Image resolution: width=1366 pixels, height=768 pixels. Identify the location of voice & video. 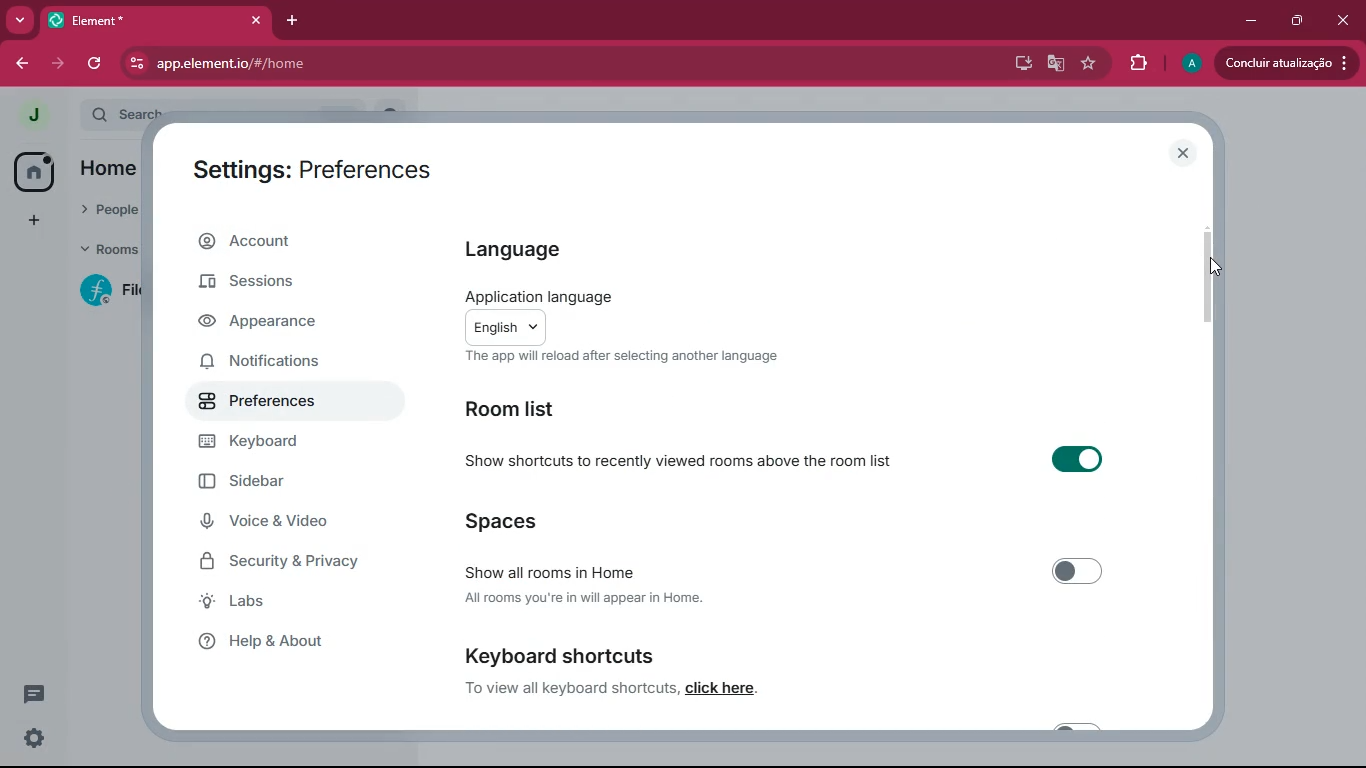
(269, 520).